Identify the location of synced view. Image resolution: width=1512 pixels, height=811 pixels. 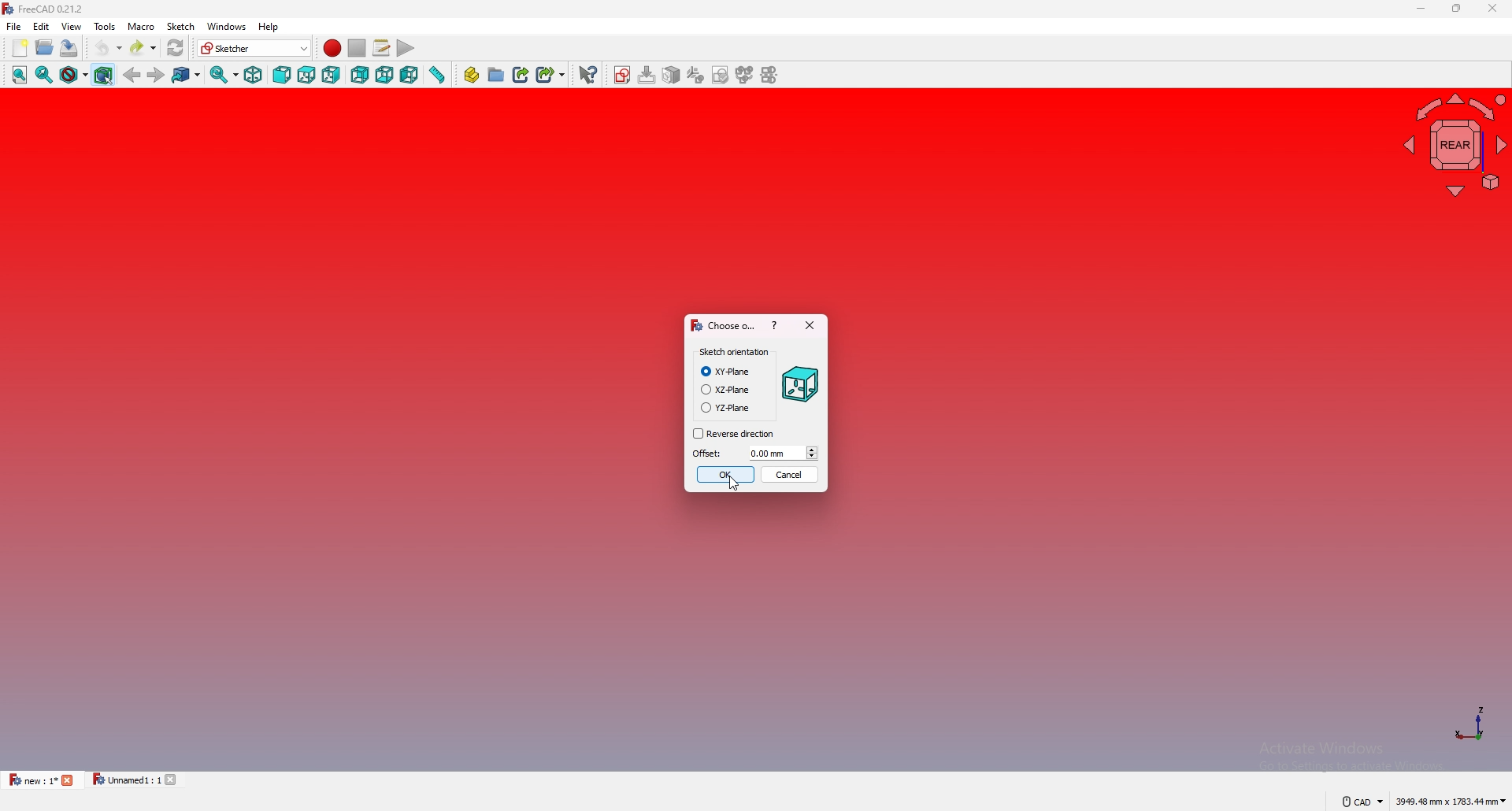
(224, 74).